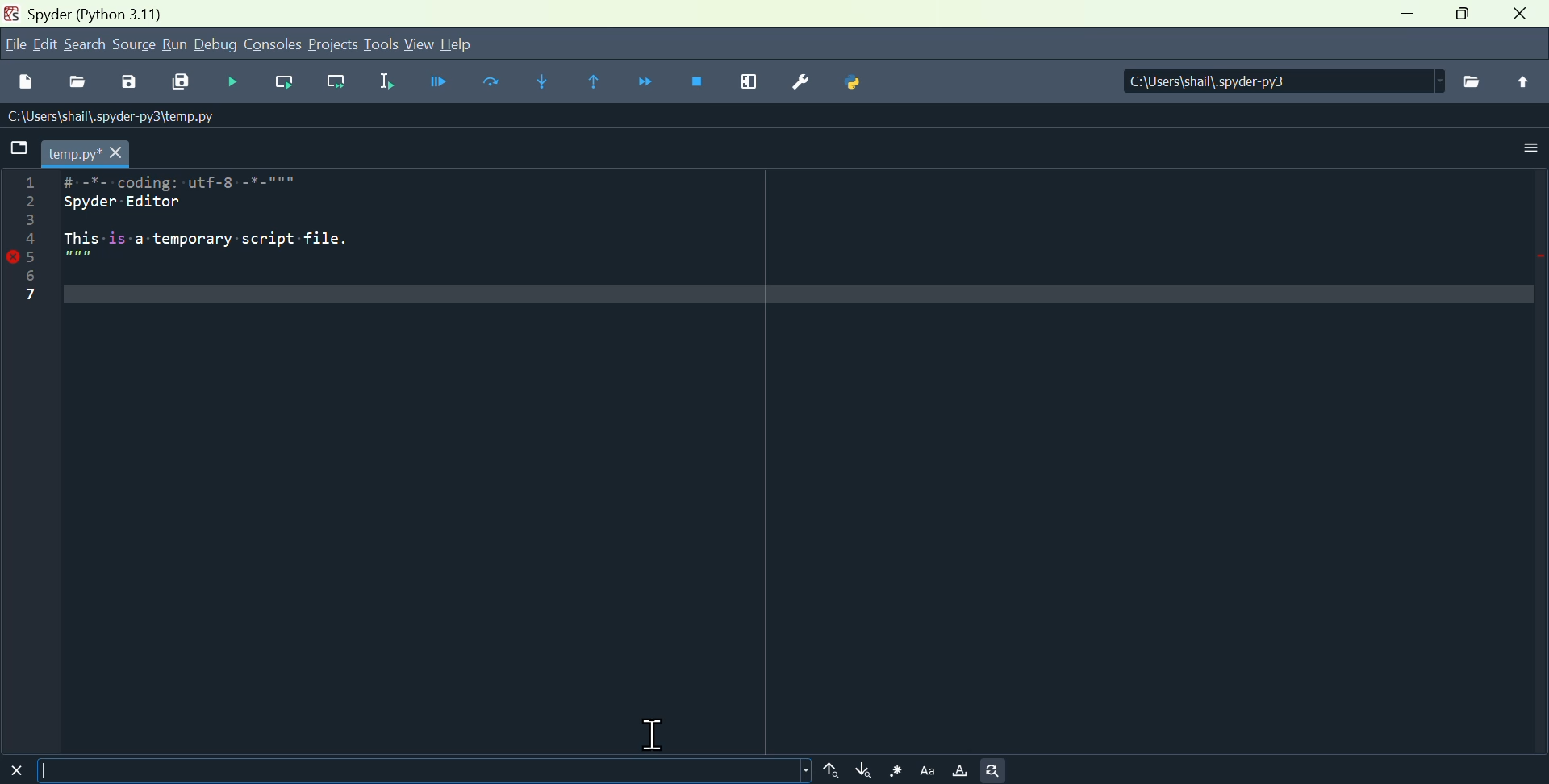 The height and width of the screenshot is (784, 1549). Describe the element at coordinates (490, 85) in the screenshot. I see `run cell` at that location.